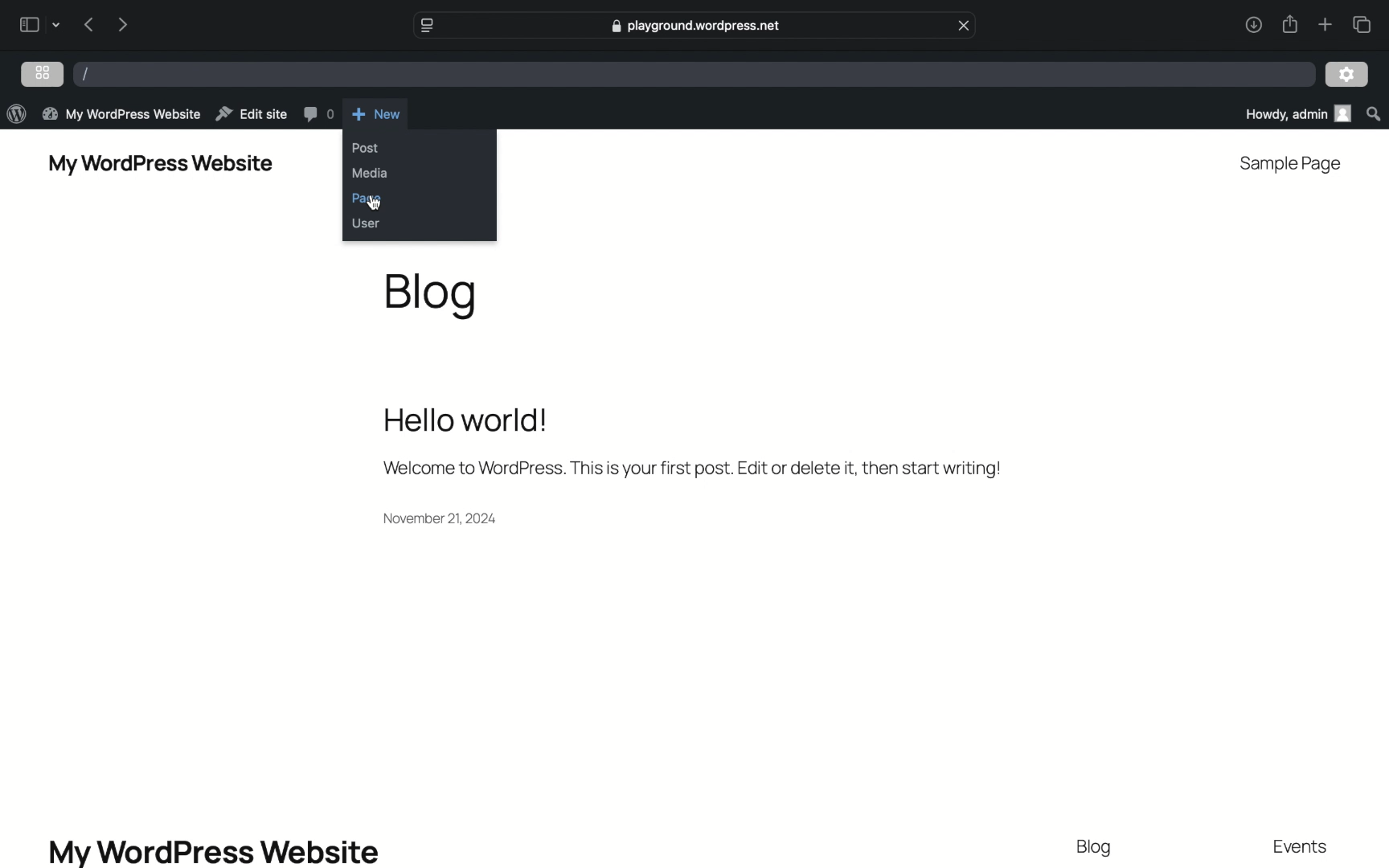 The image size is (1389, 868). I want to click on welcome message, so click(692, 469).